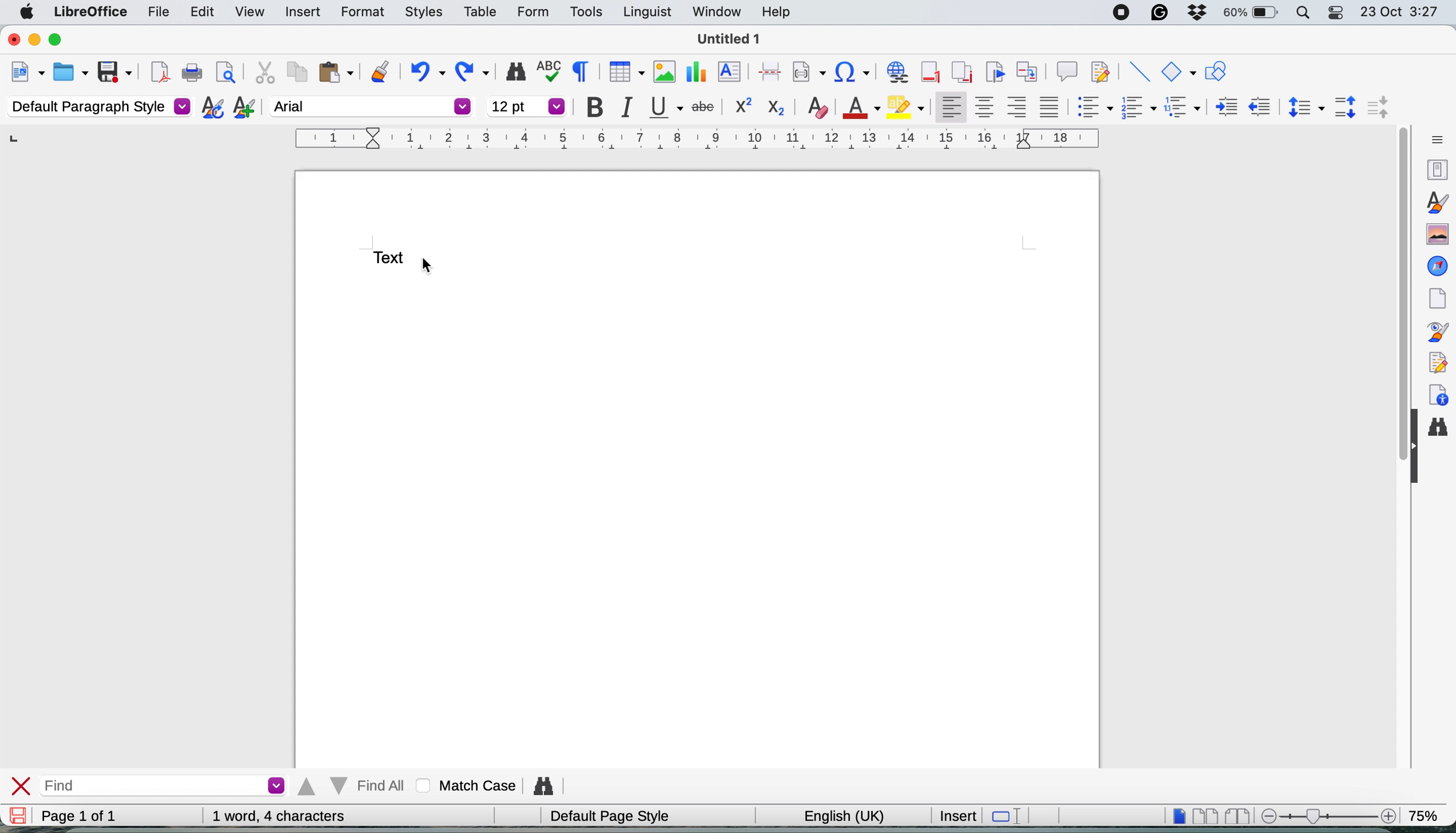 The image size is (1456, 833). Describe the element at coordinates (579, 72) in the screenshot. I see `toggle formatting marks` at that location.